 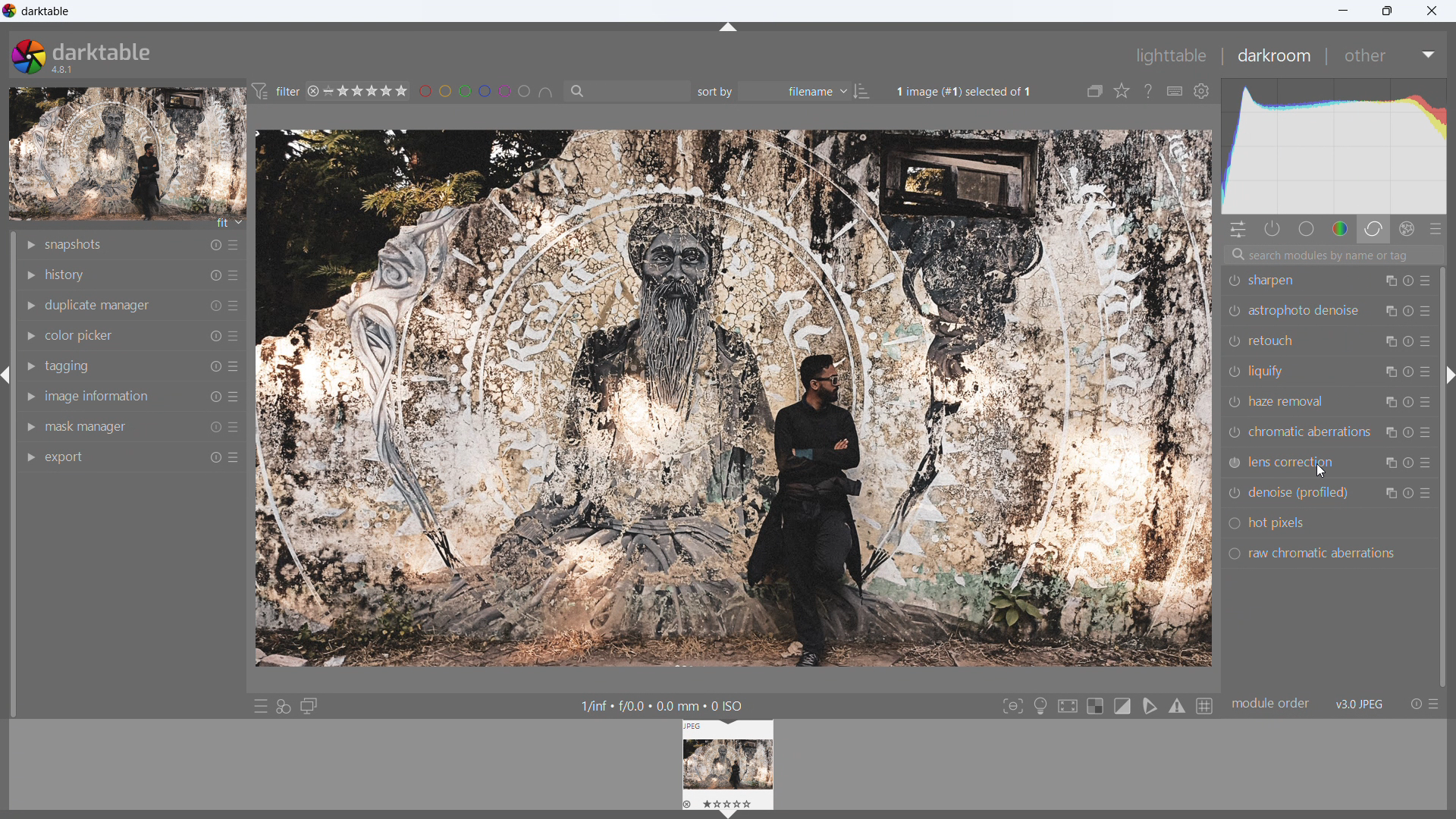 What do you see at coordinates (1388, 375) in the screenshot?
I see `multiple instance action` at bounding box center [1388, 375].